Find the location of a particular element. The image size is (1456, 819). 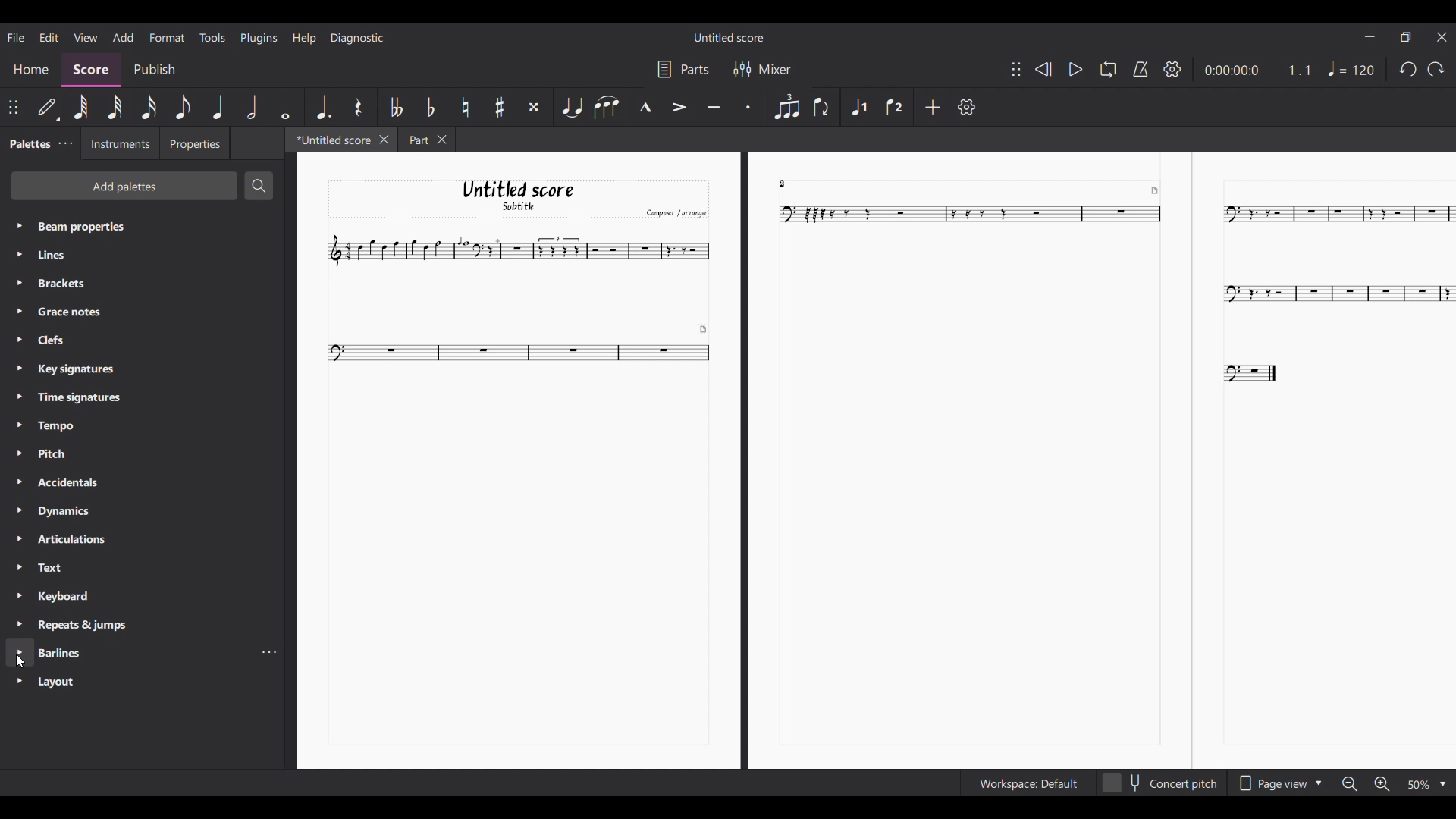

Close interface is located at coordinates (1442, 37).